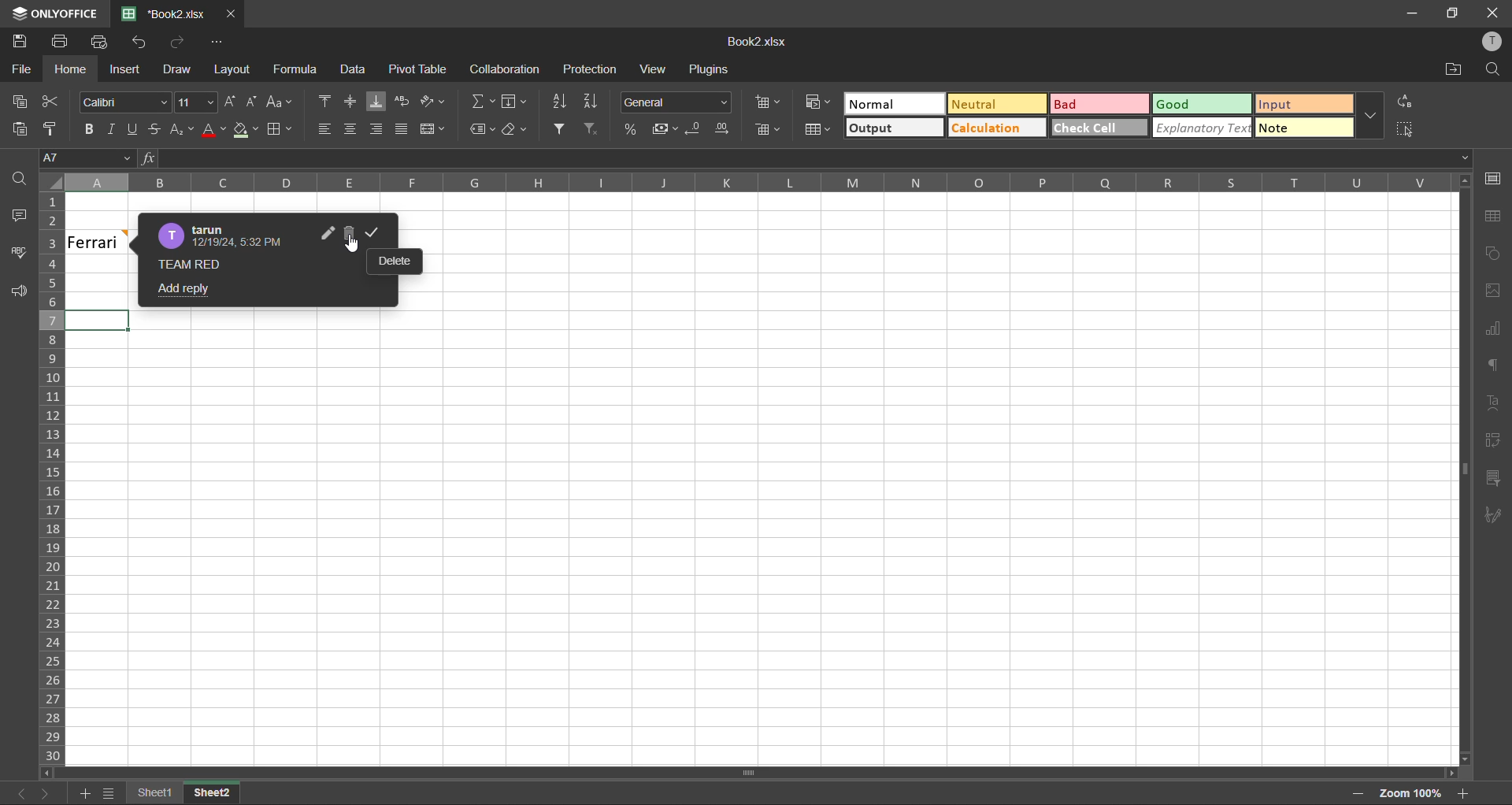  Describe the element at coordinates (280, 131) in the screenshot. I see `borders` at that location.